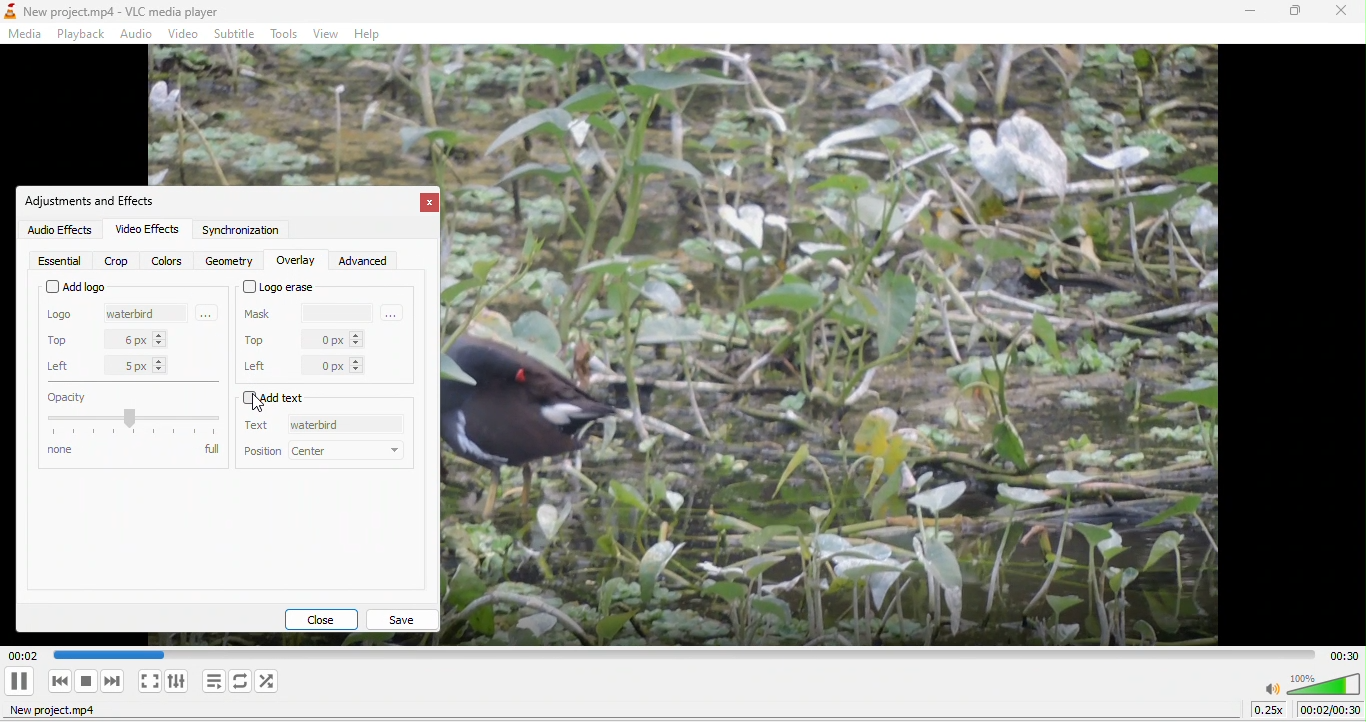  I want to click on 0 px, so click(344, 365).